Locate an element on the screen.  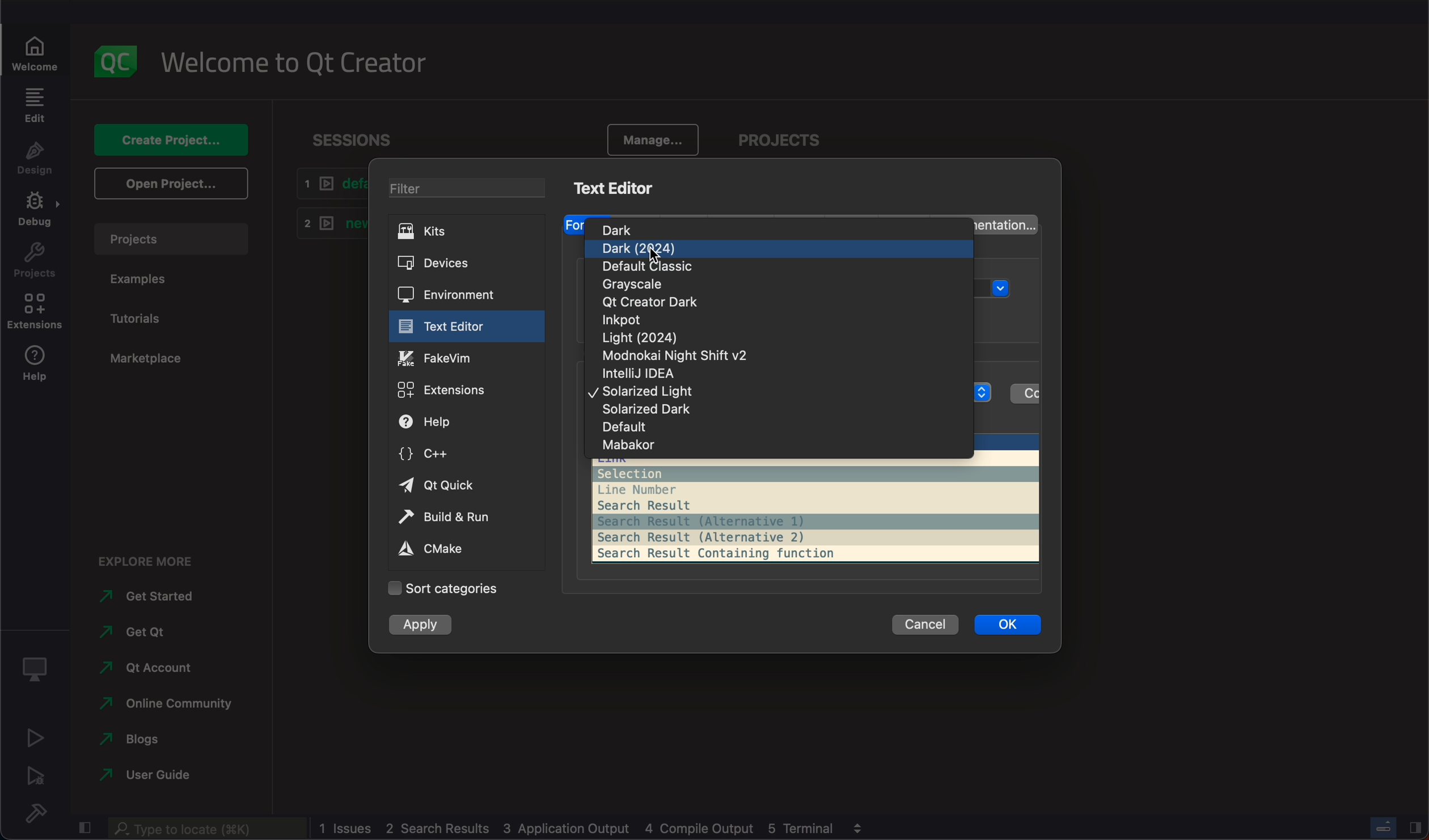
design is located at coordinates (33, 161).